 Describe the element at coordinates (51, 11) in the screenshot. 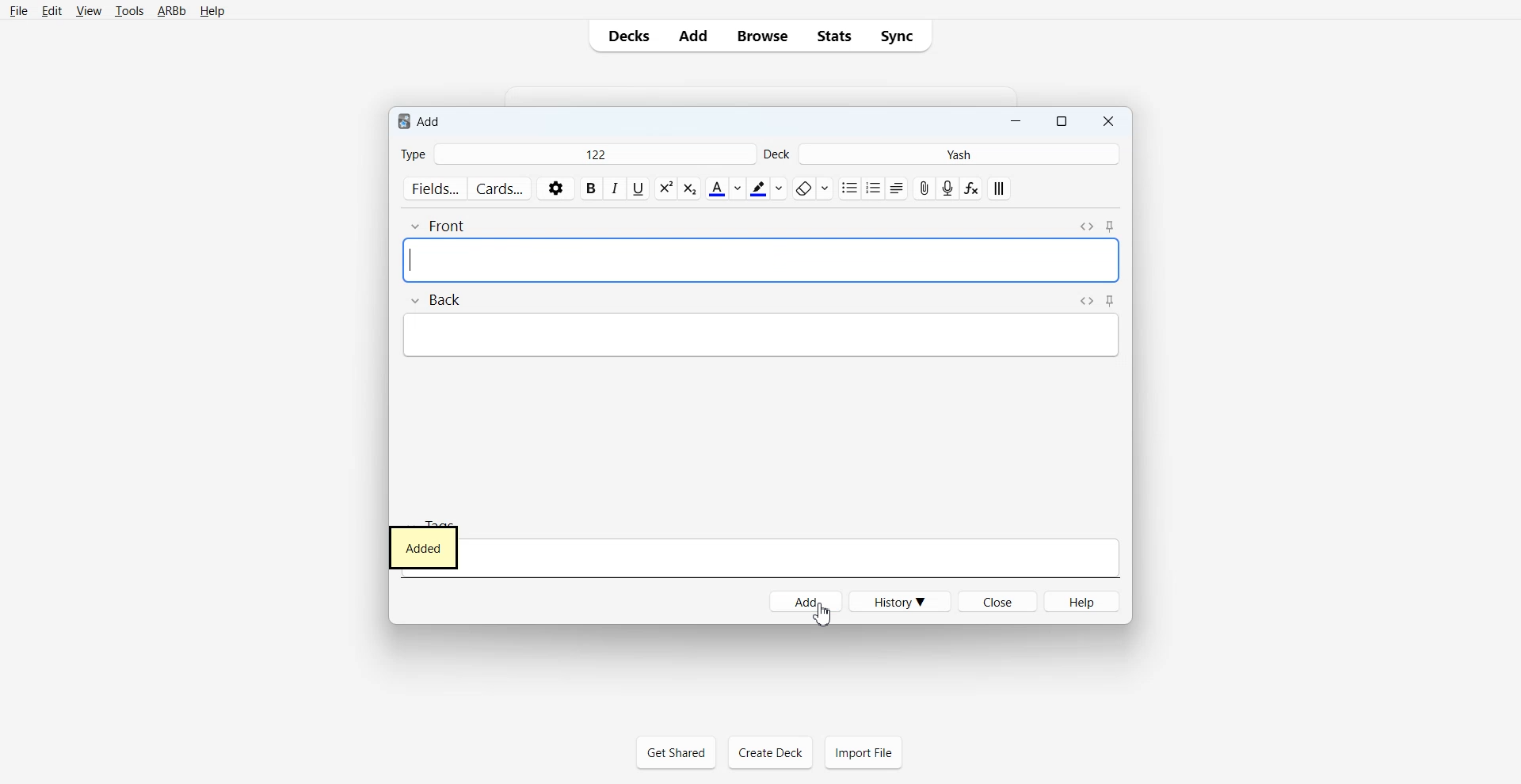

I see `Edit` at that location.